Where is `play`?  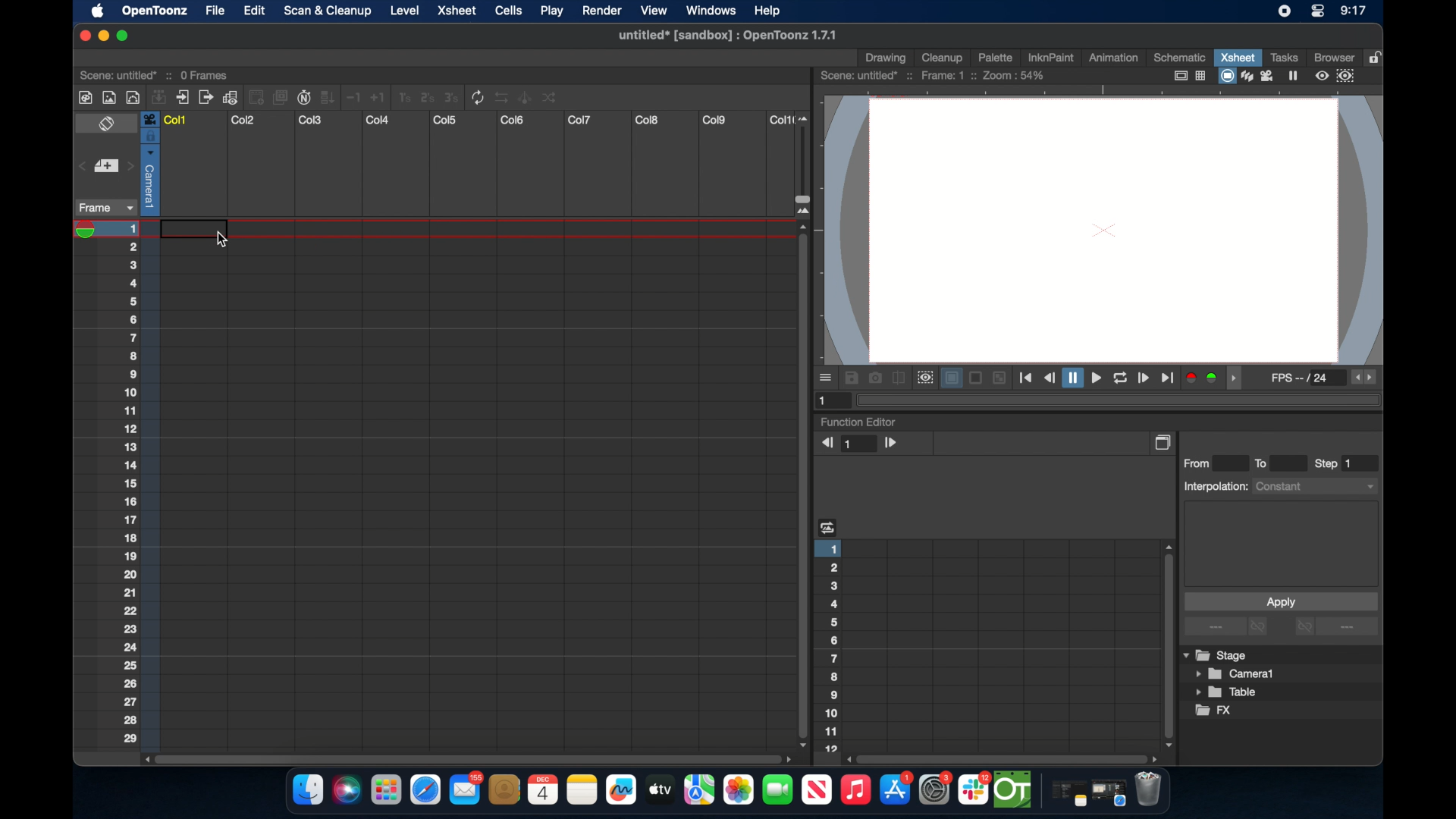 play is located at coordinates (551, 11).